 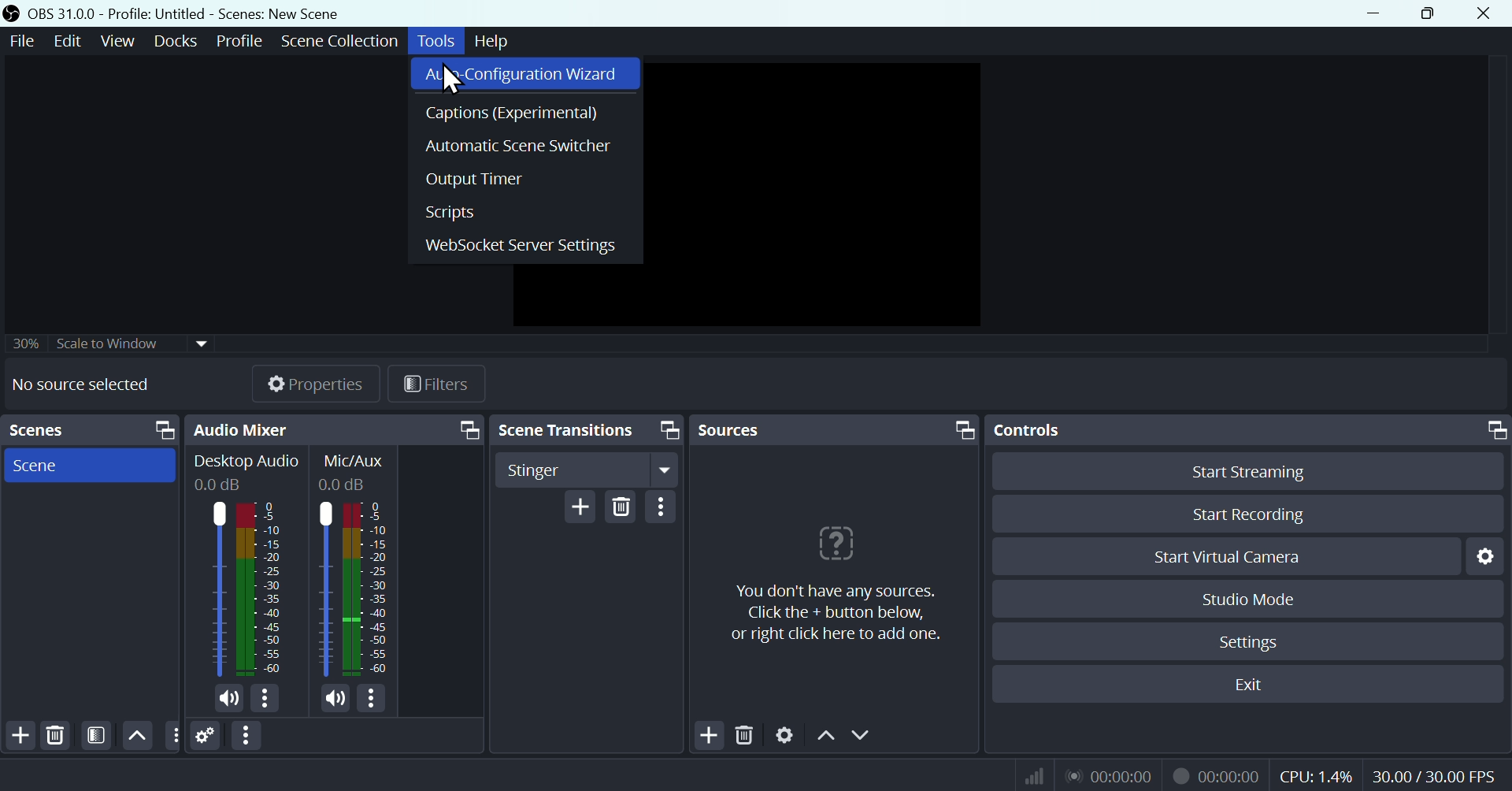 I want to click on Automatic scene switcher, so click(x=524, y=143).